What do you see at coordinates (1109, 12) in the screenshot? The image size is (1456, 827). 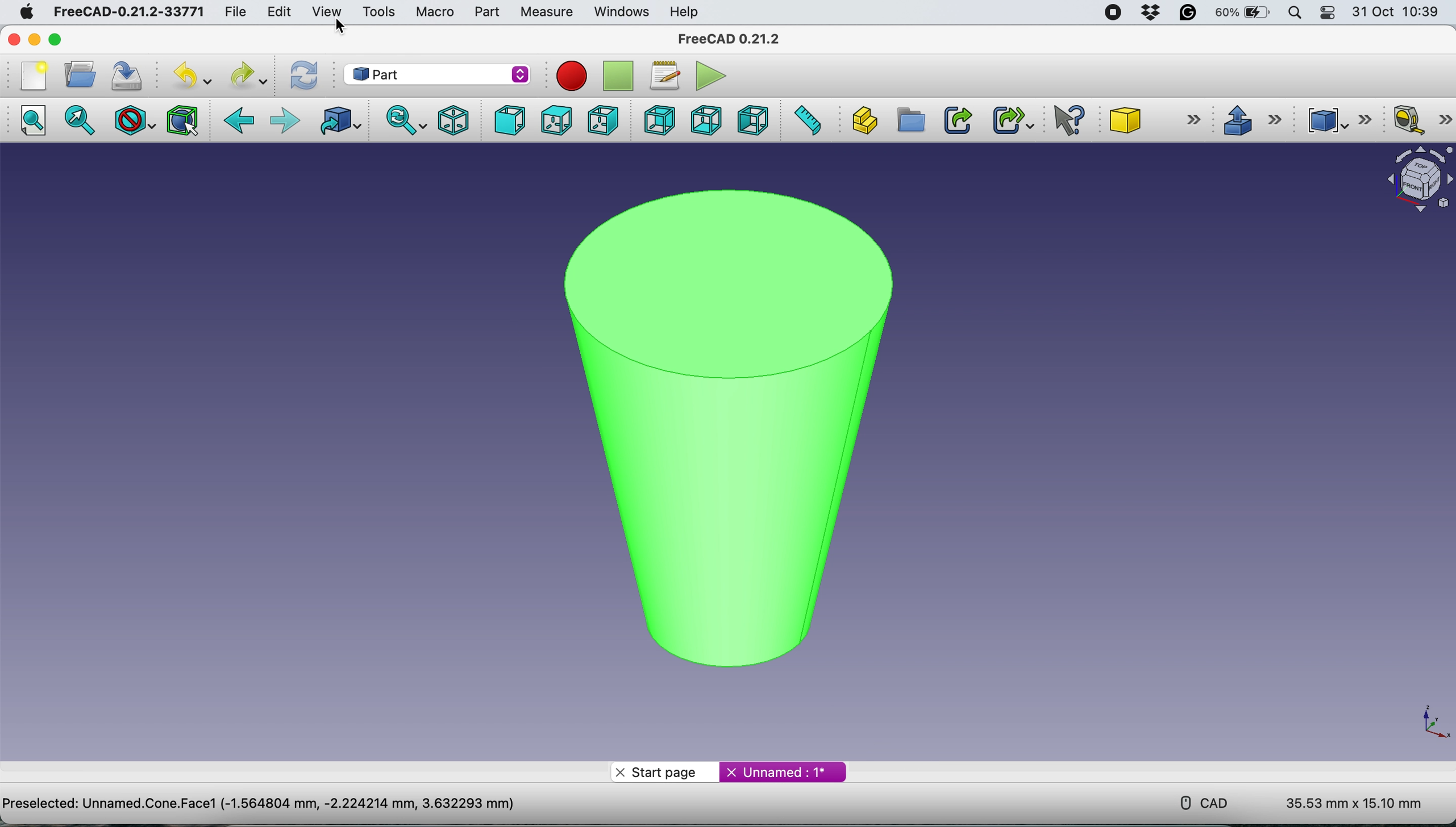 I see `screen recorder` at bounding box center [1109, 12].